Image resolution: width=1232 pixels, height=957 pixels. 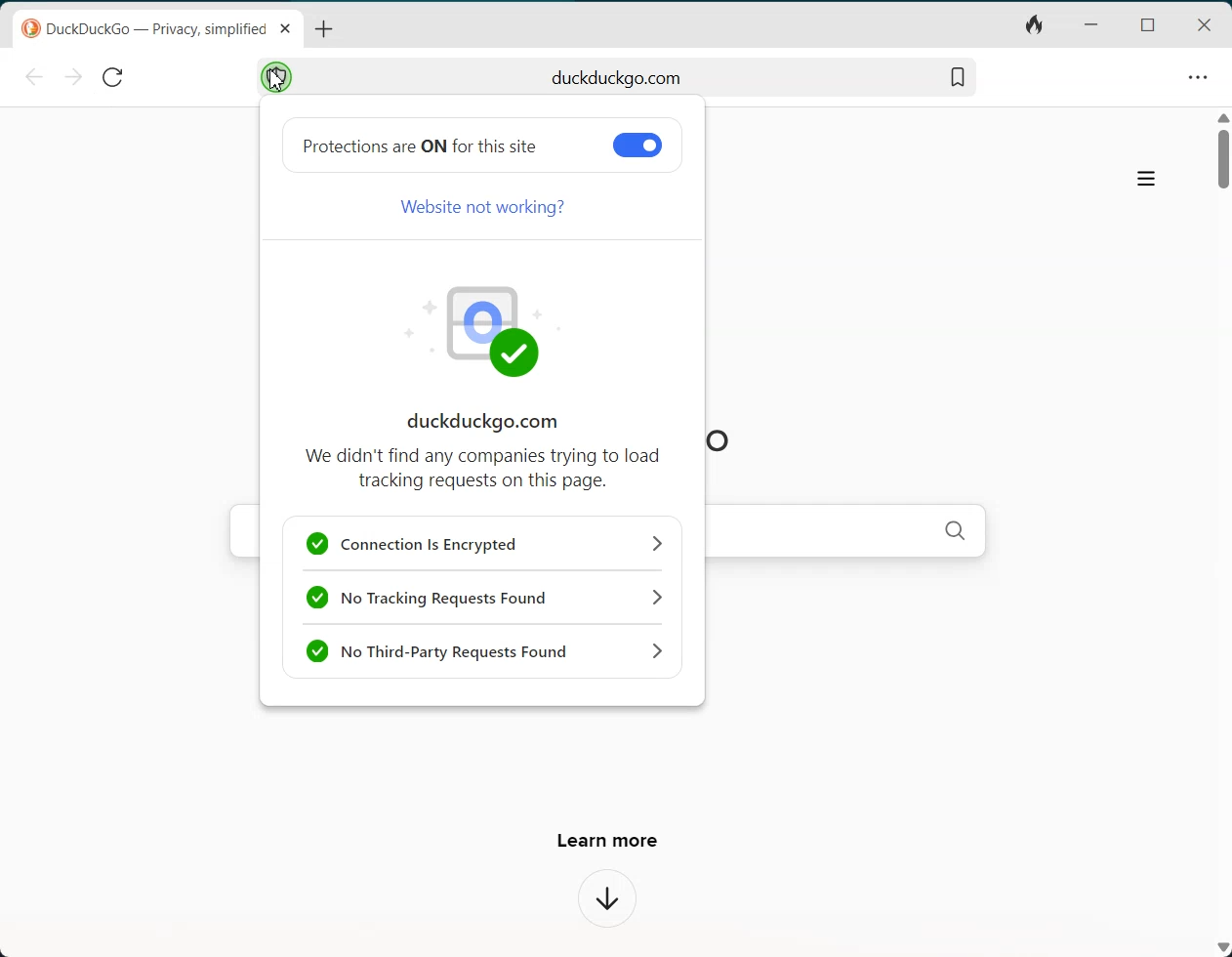 I want to click on vertical scrollbar, so click(x=1224, y=160).